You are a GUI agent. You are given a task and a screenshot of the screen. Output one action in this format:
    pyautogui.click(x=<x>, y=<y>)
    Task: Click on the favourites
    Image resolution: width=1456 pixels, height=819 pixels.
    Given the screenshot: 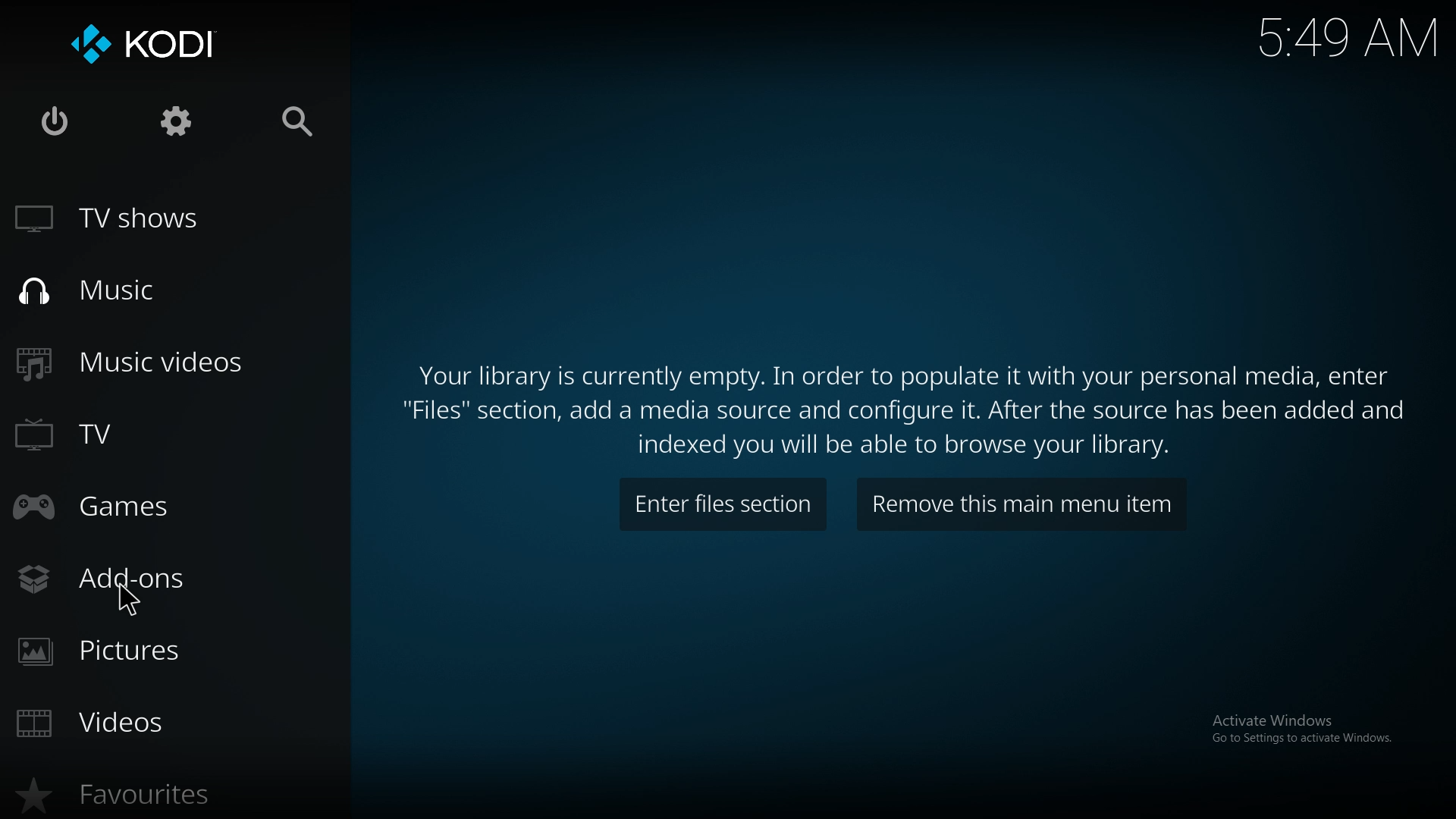 What is the action you would take?
    pyautogui.click(x=125, y=795)
    